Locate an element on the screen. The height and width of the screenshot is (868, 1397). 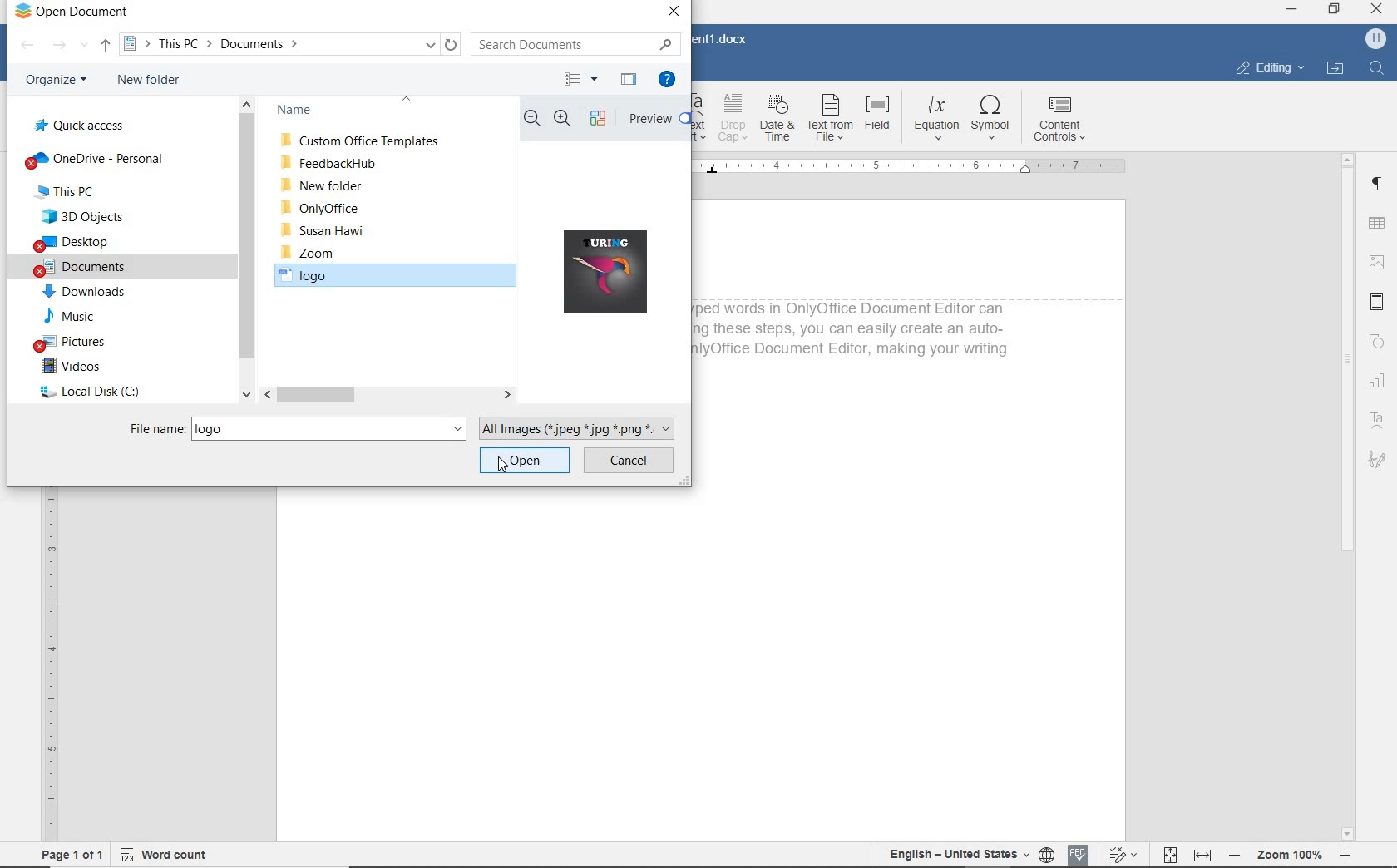
ORGANIZE is located at coordinates (53, 81).